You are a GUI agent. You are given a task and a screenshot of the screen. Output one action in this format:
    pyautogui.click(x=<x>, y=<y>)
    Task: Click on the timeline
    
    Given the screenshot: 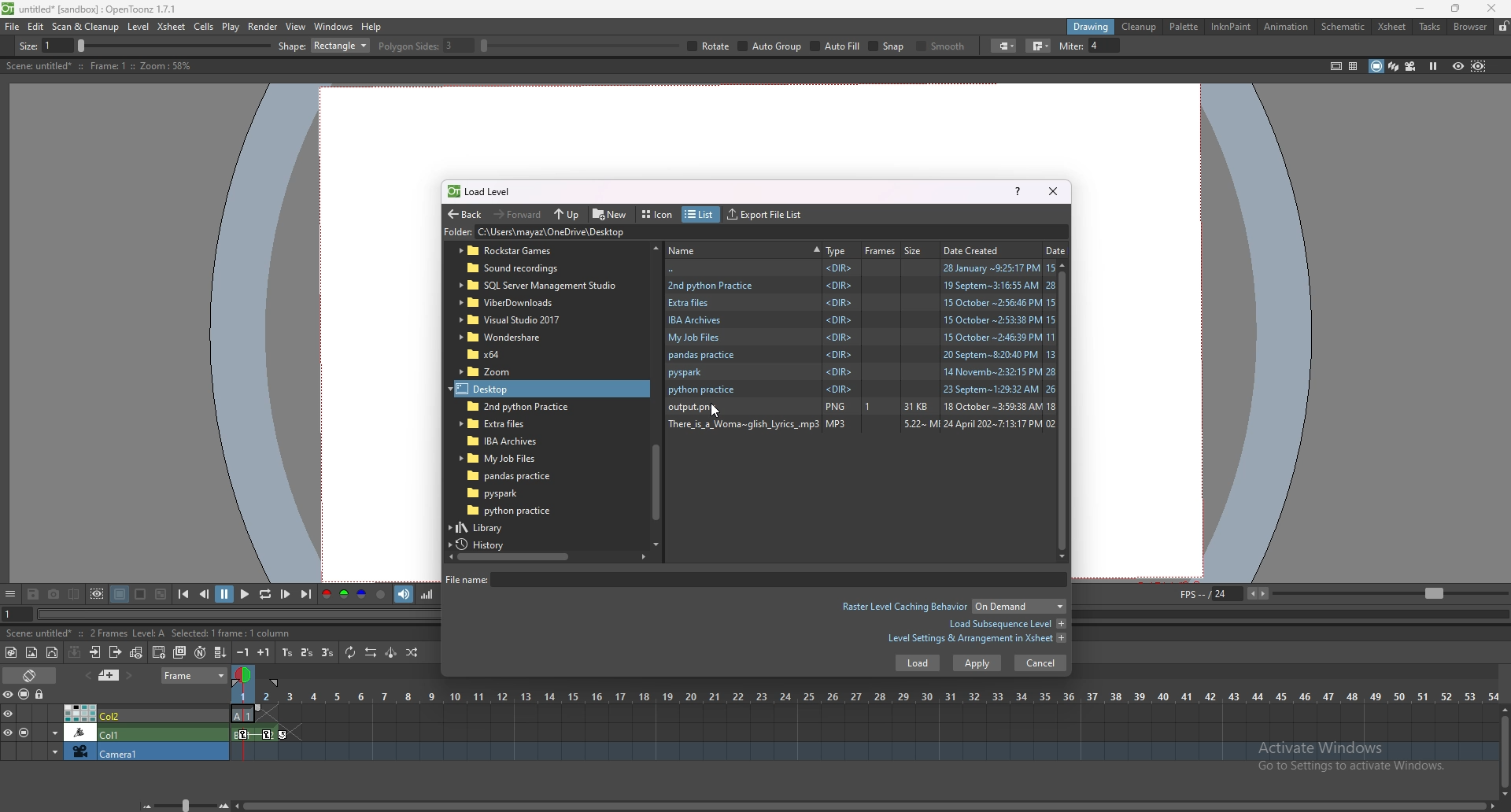 What is the action you would take?
    pyautogui.click(x=863, y=752)
    